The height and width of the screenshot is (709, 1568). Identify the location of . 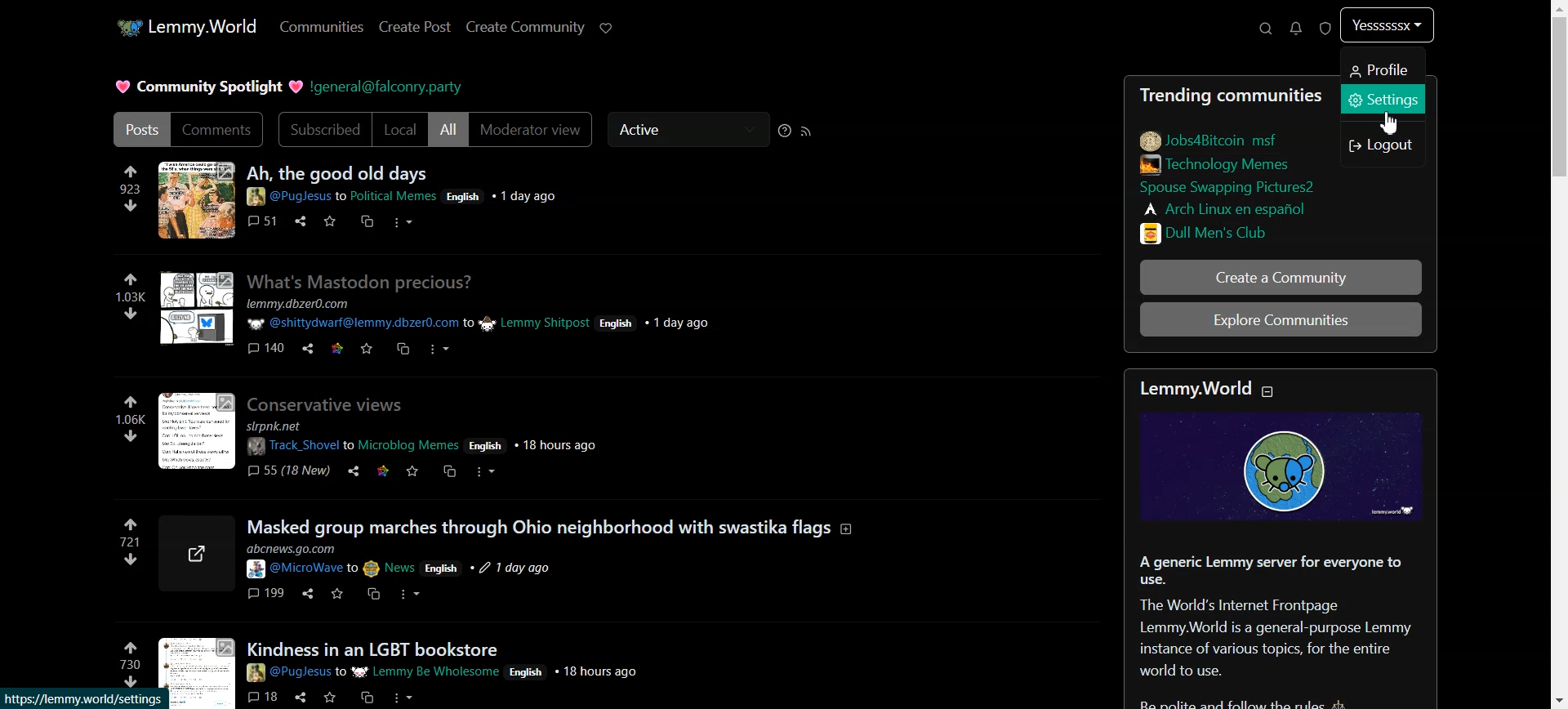
(303, 220).